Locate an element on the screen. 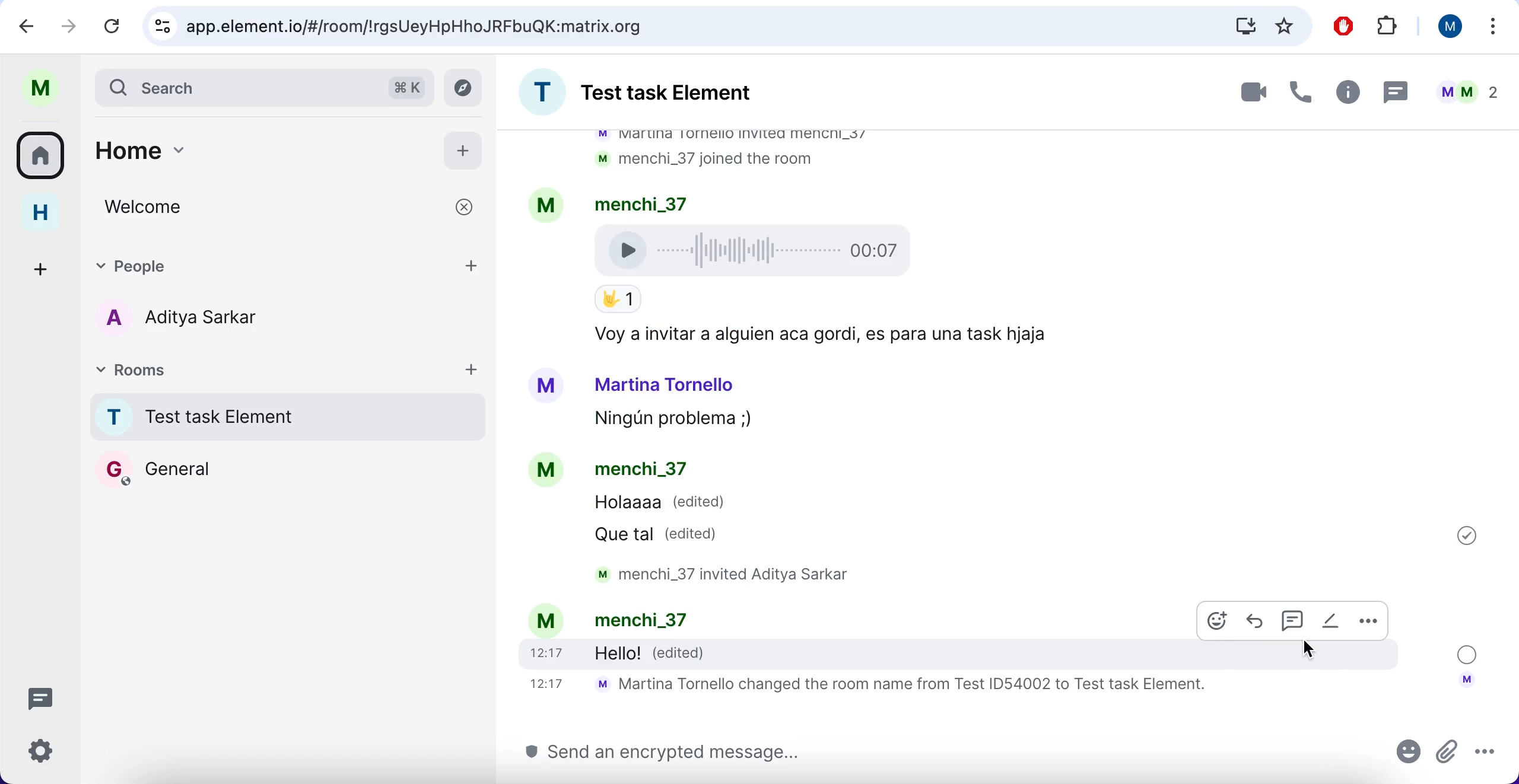  message sent is located at coordinates (1462, 652).